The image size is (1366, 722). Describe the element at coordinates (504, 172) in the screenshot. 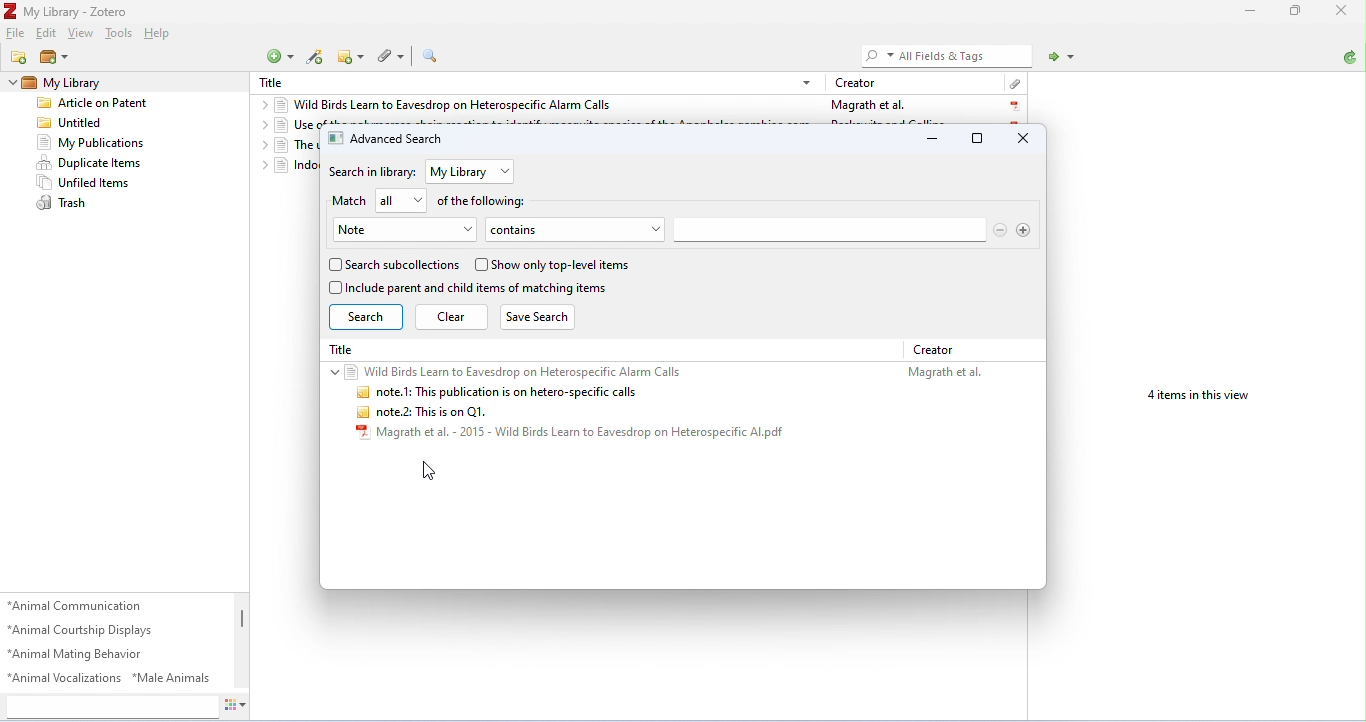

I see `drop-down` at that location.